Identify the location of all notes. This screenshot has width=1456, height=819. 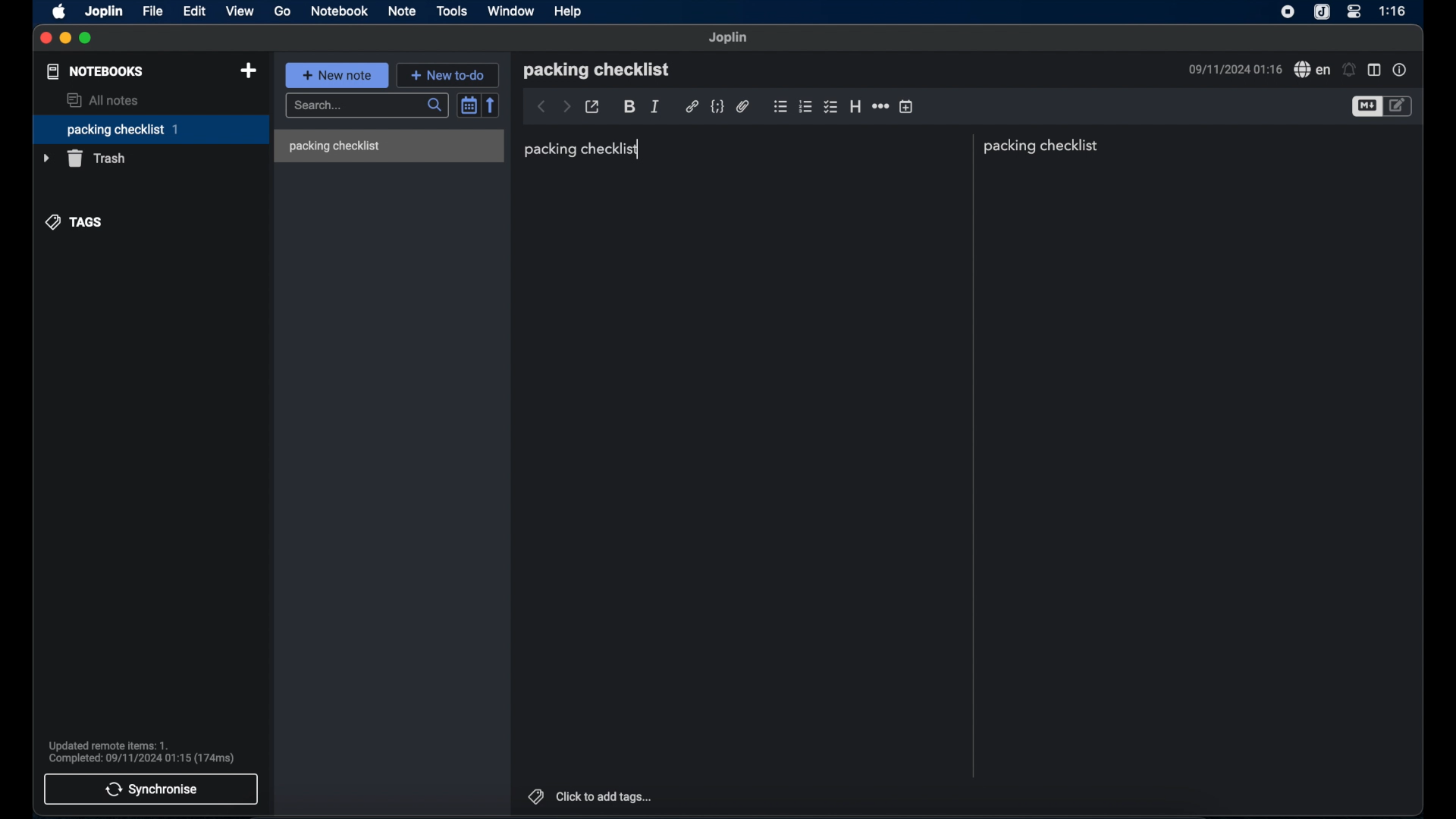
(105, 100).